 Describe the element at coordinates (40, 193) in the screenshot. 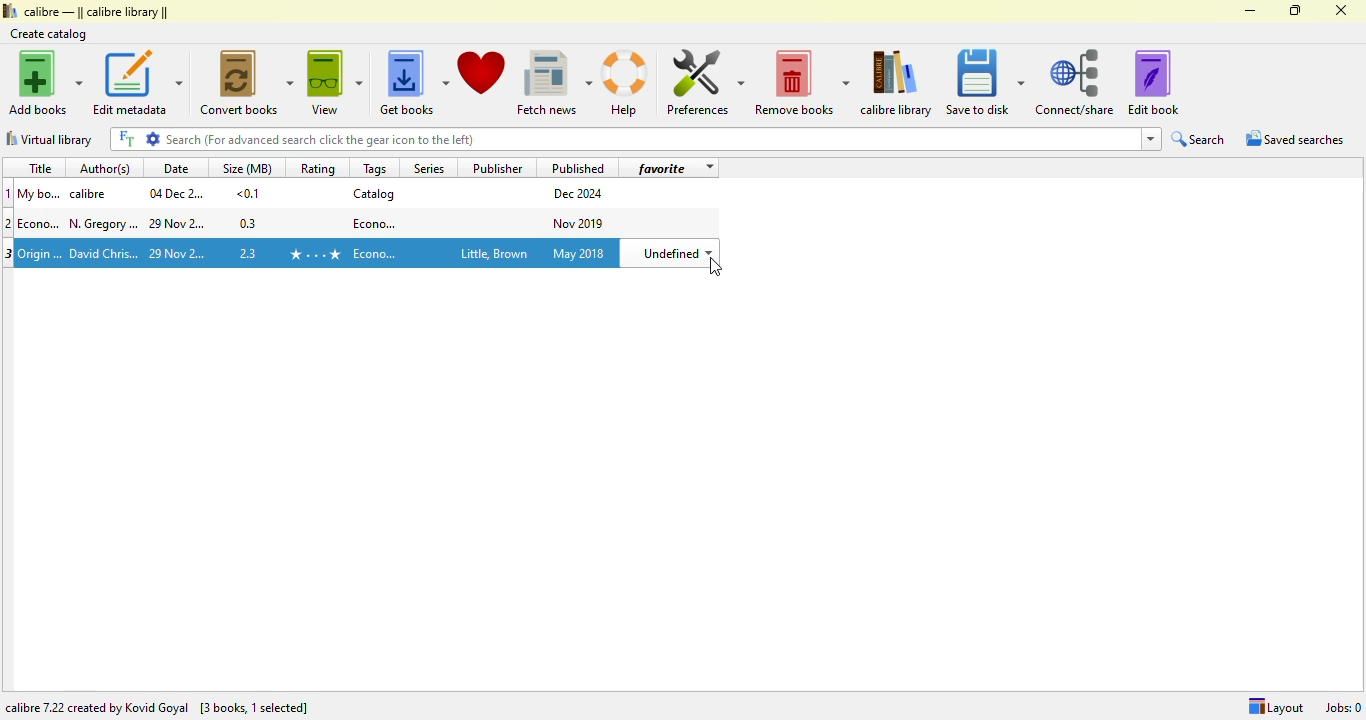

I see `Title` at that location.